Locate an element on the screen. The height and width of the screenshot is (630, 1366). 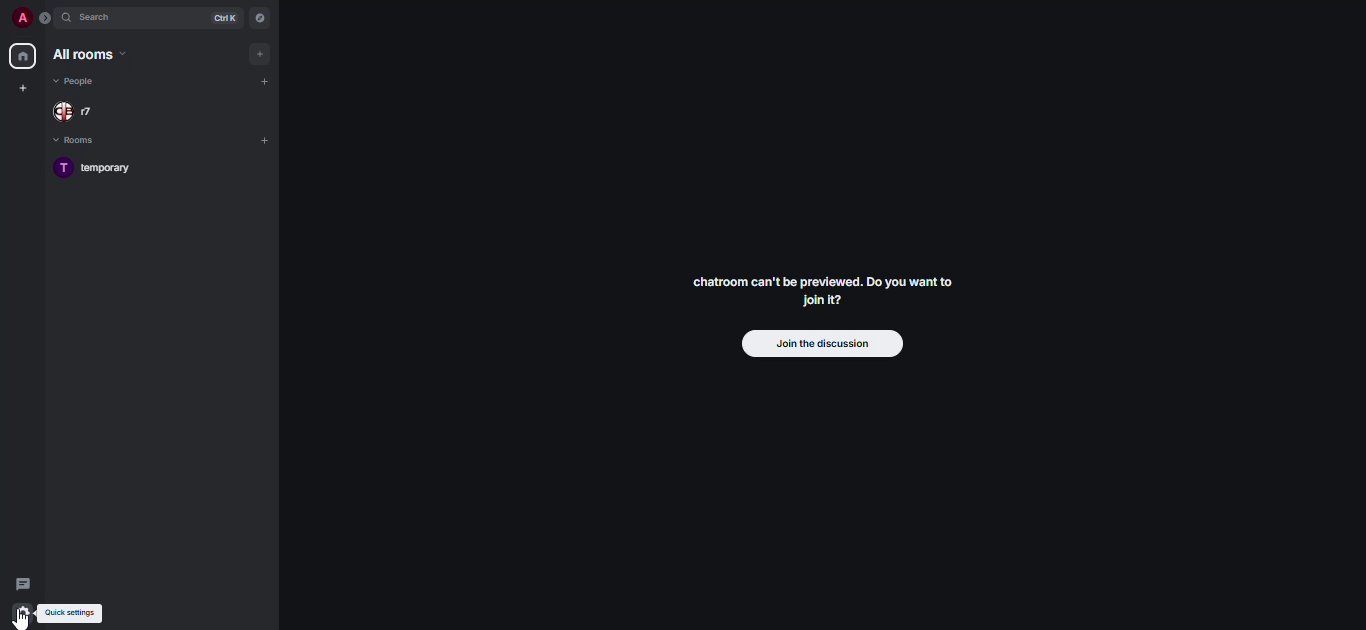
cursor is located at coordinates (25, 621).